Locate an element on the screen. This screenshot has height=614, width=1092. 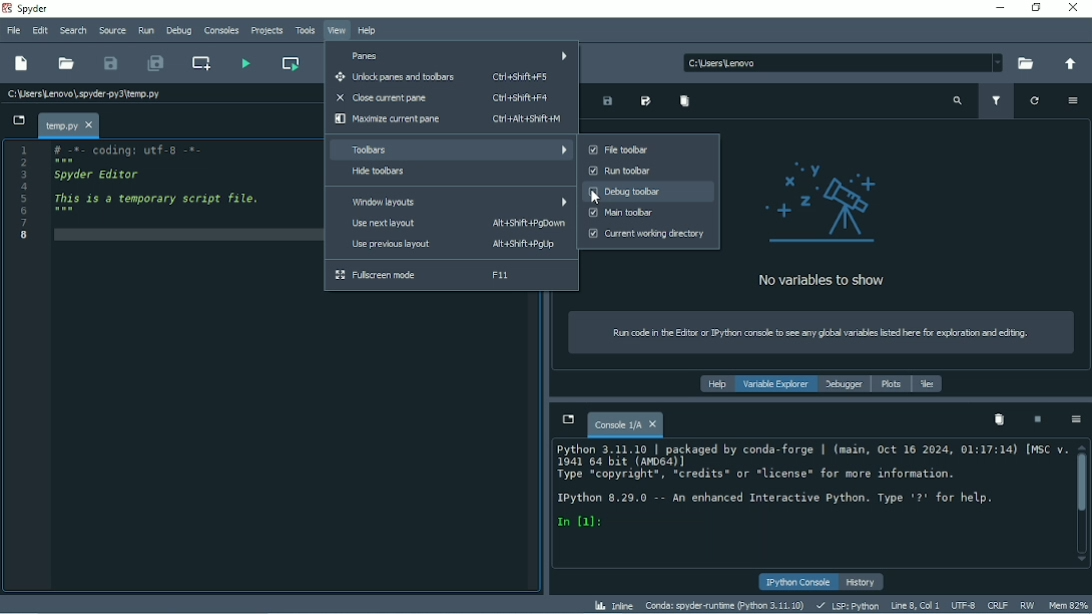
IPython console is located at coordinates (798, 583).